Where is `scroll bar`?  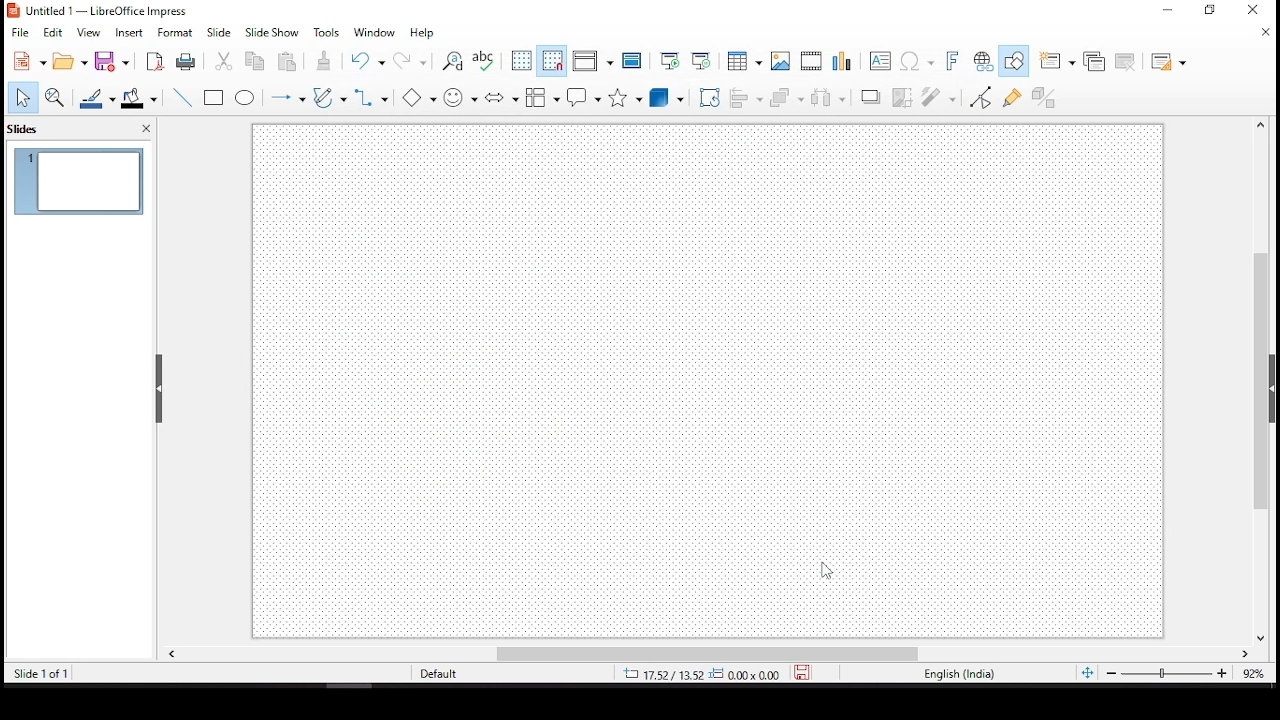 scroll bar is located at coordinates (1268, 380).